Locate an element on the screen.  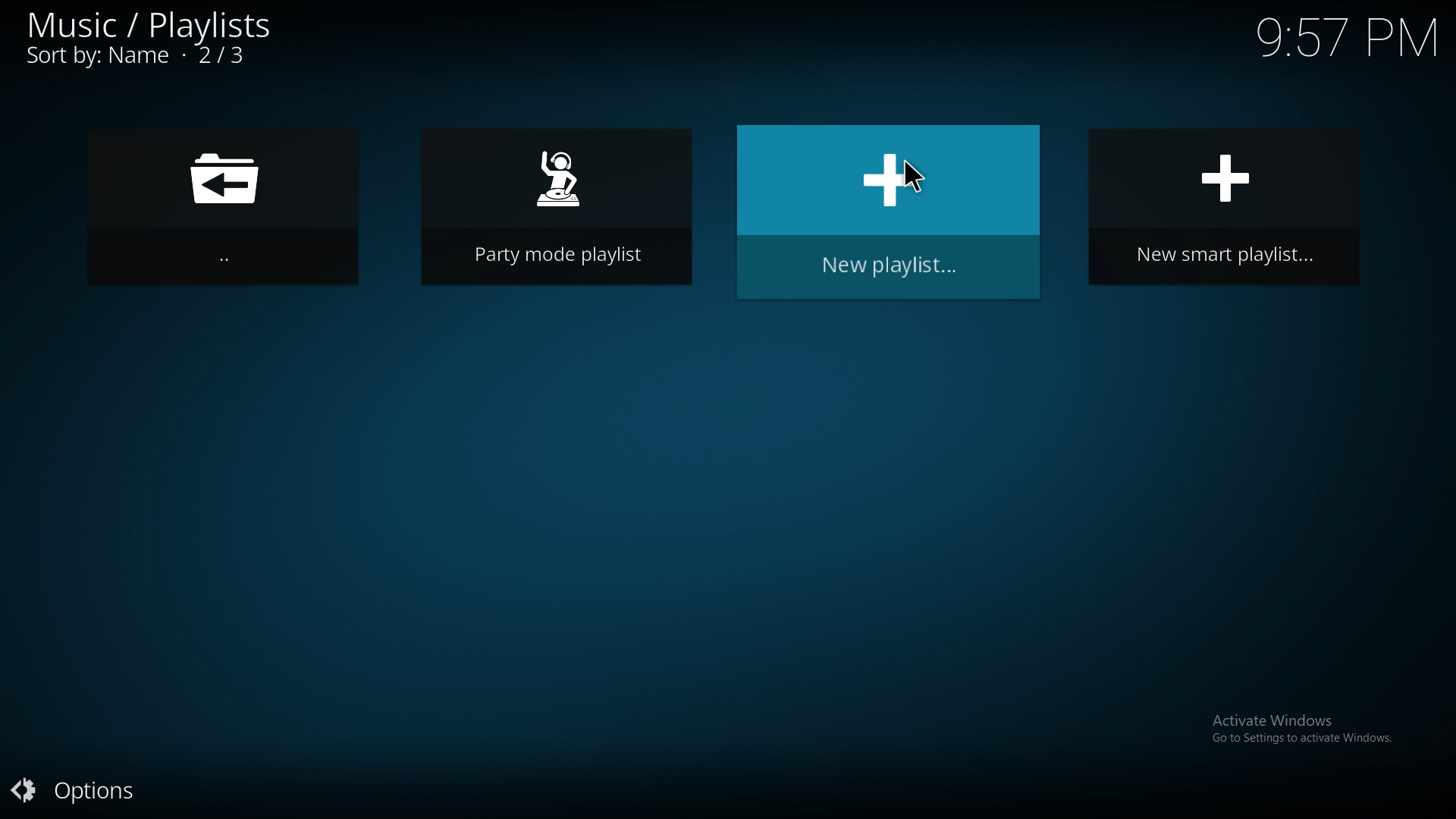
party mode playlist is located at coordinates (557, 205).